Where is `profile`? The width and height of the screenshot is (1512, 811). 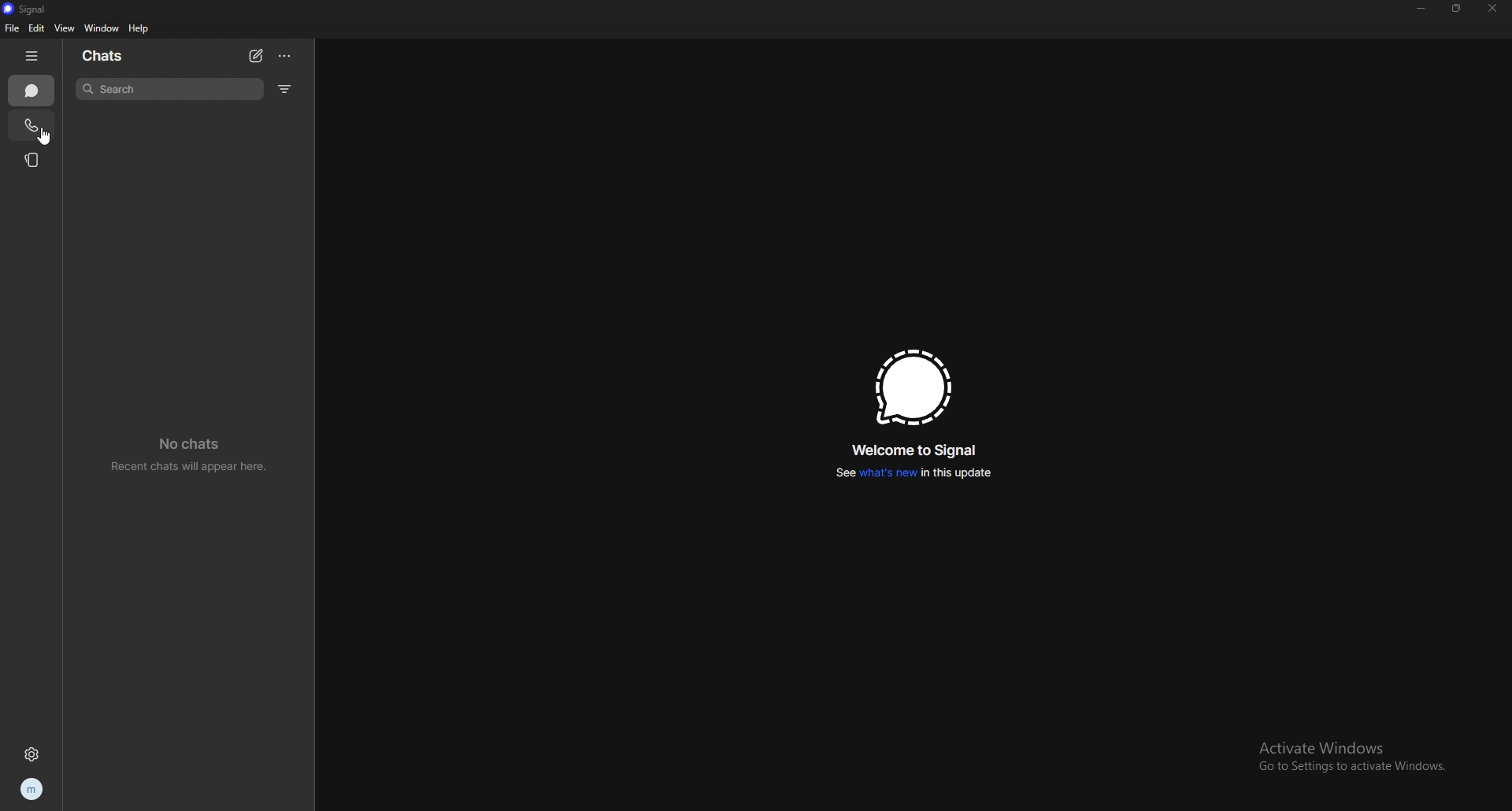 profile is located at coordinates (34, 789).